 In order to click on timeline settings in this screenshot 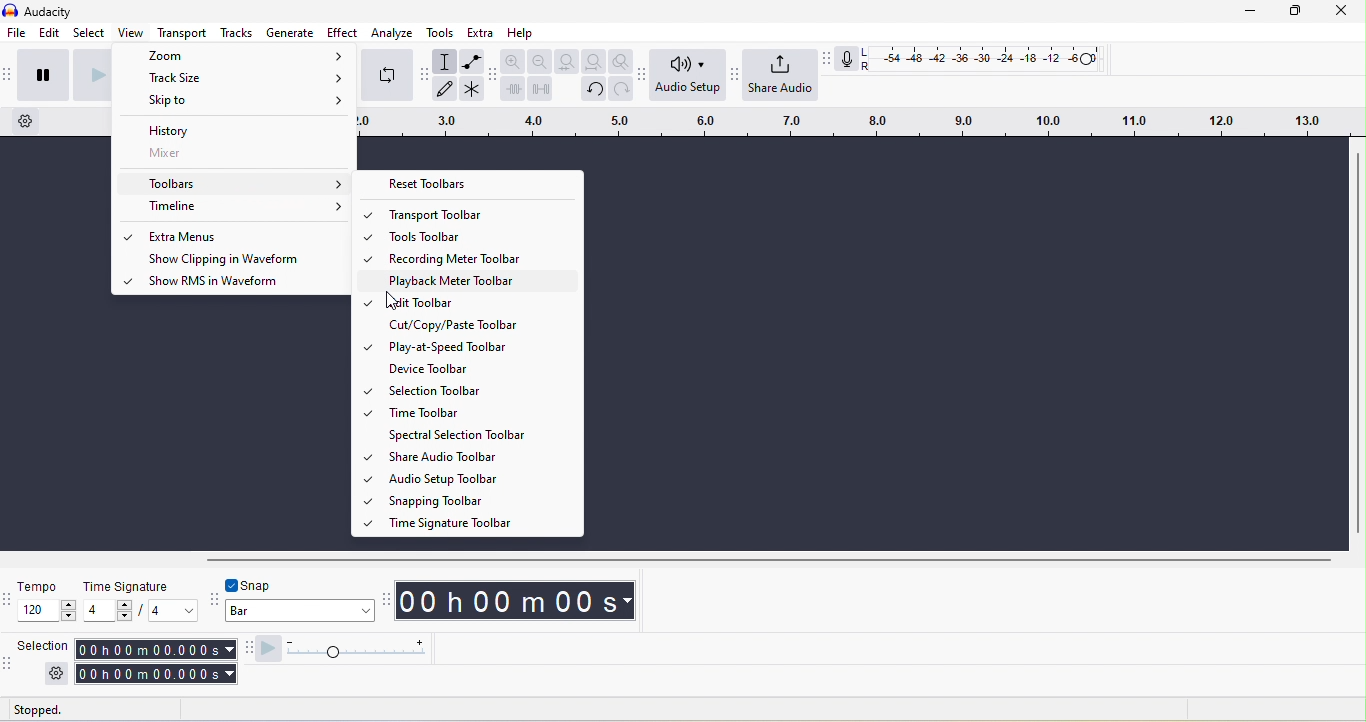, I will do `click(26, 121)`.